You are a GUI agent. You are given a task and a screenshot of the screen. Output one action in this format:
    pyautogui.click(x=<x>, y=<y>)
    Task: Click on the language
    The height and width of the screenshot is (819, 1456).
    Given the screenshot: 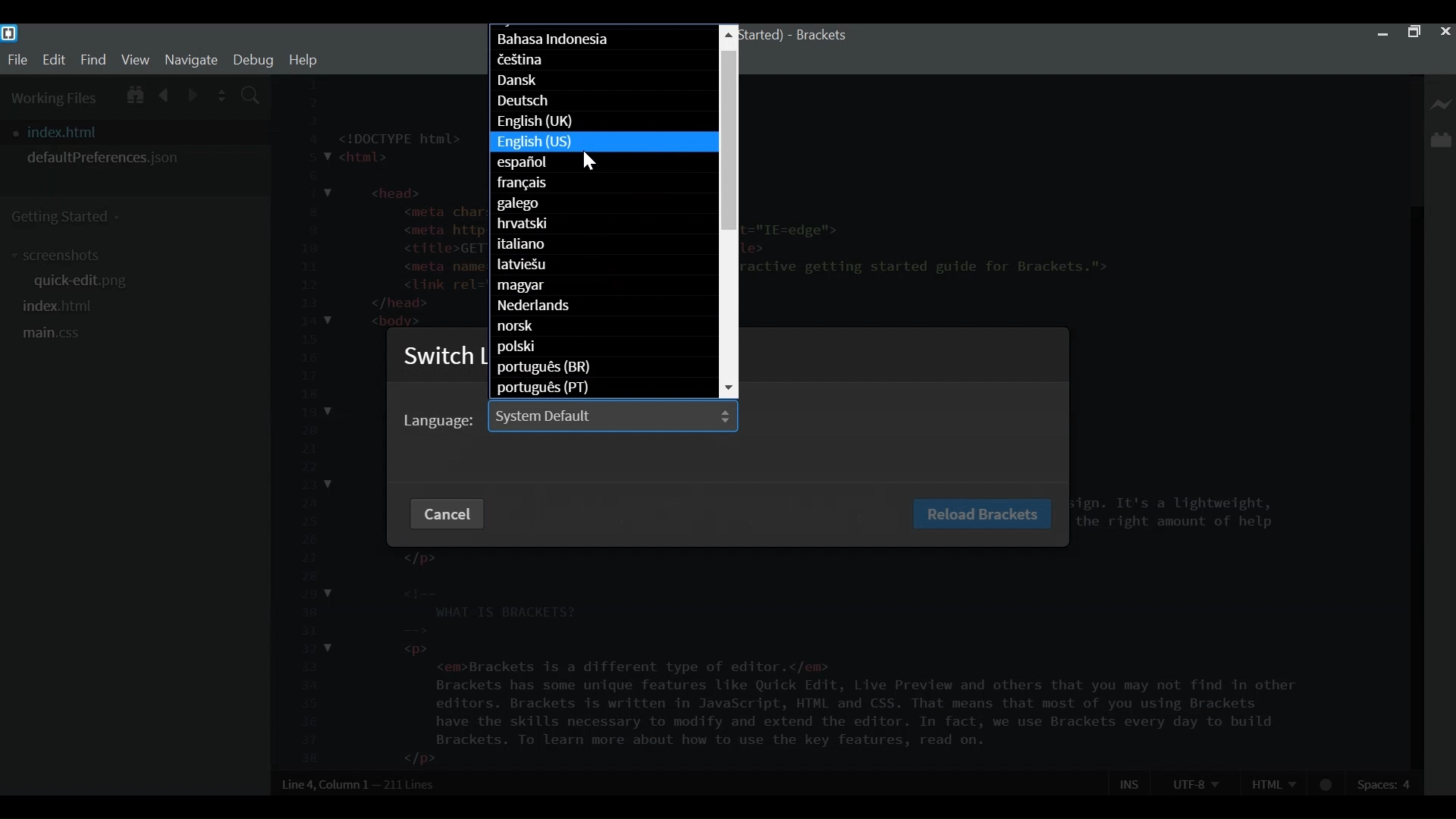 What is the action you would take?
    pyautogui.click(x=438, y=420)
    